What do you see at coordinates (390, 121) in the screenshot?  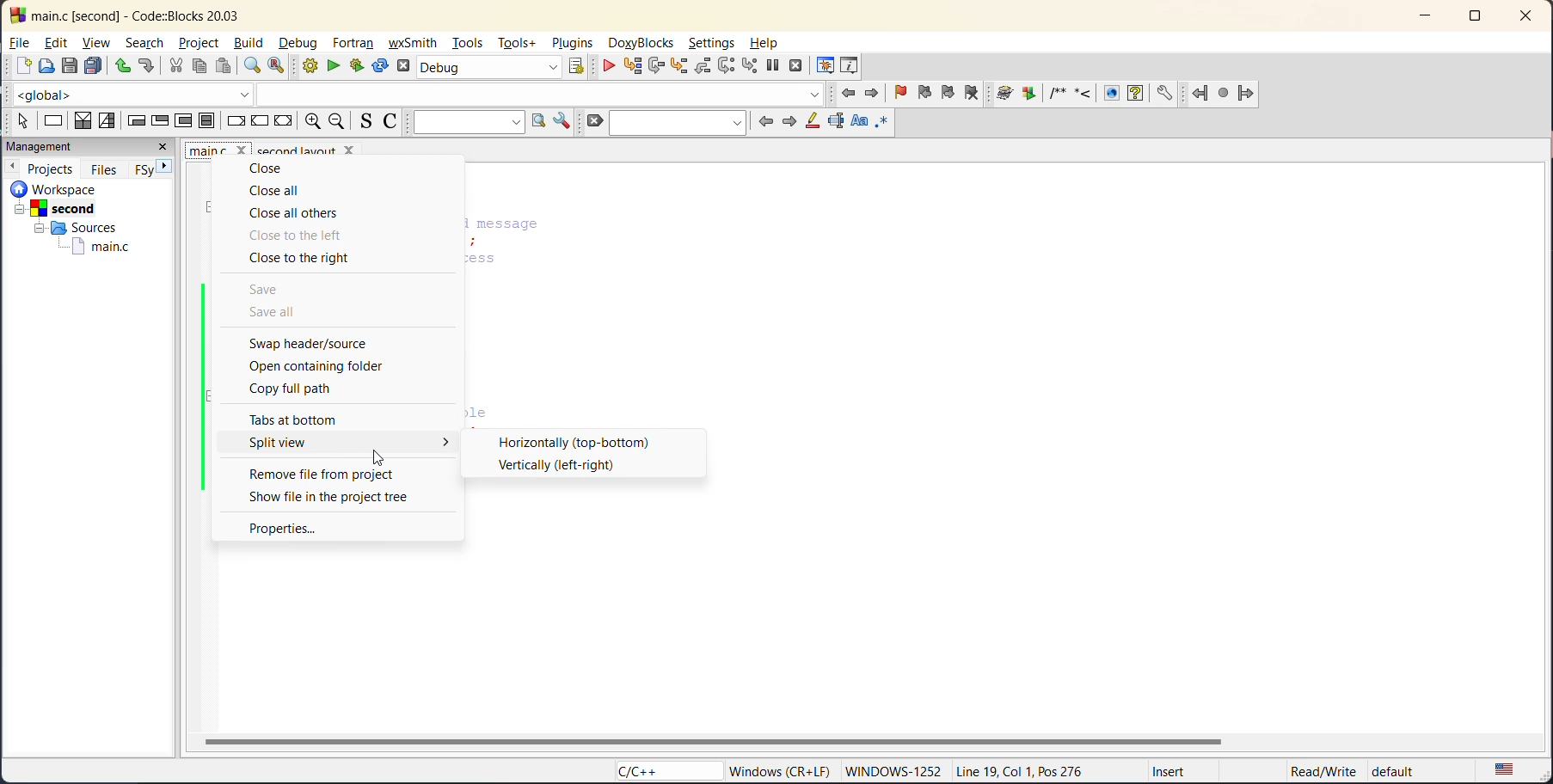 I see `toggle comments` at bounding box center [390, 121].